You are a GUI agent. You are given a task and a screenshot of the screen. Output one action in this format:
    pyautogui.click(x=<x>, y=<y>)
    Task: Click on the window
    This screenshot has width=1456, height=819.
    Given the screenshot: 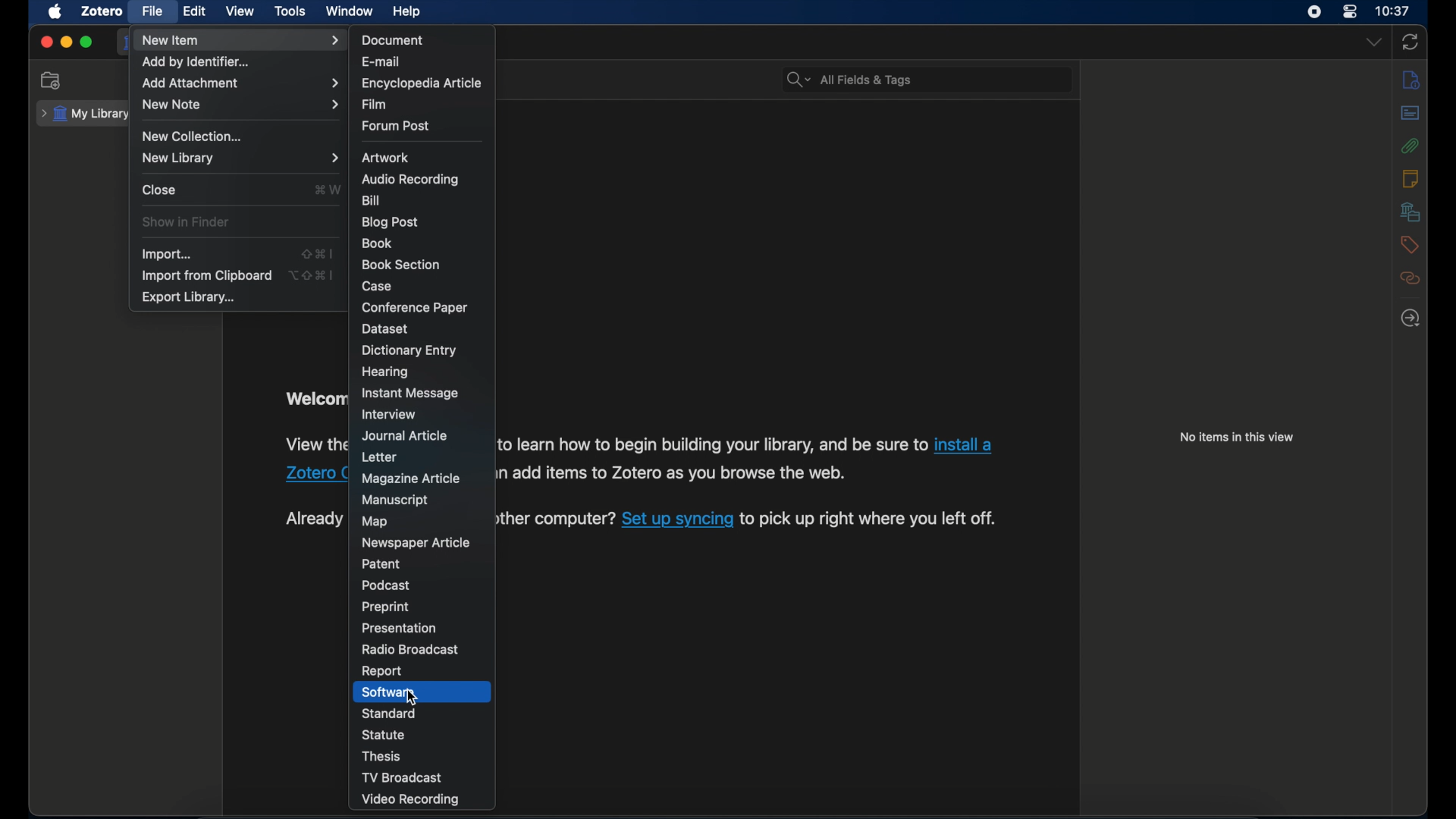 What is the action you would take?
    pyautogui.click(x=349, y=11)
    